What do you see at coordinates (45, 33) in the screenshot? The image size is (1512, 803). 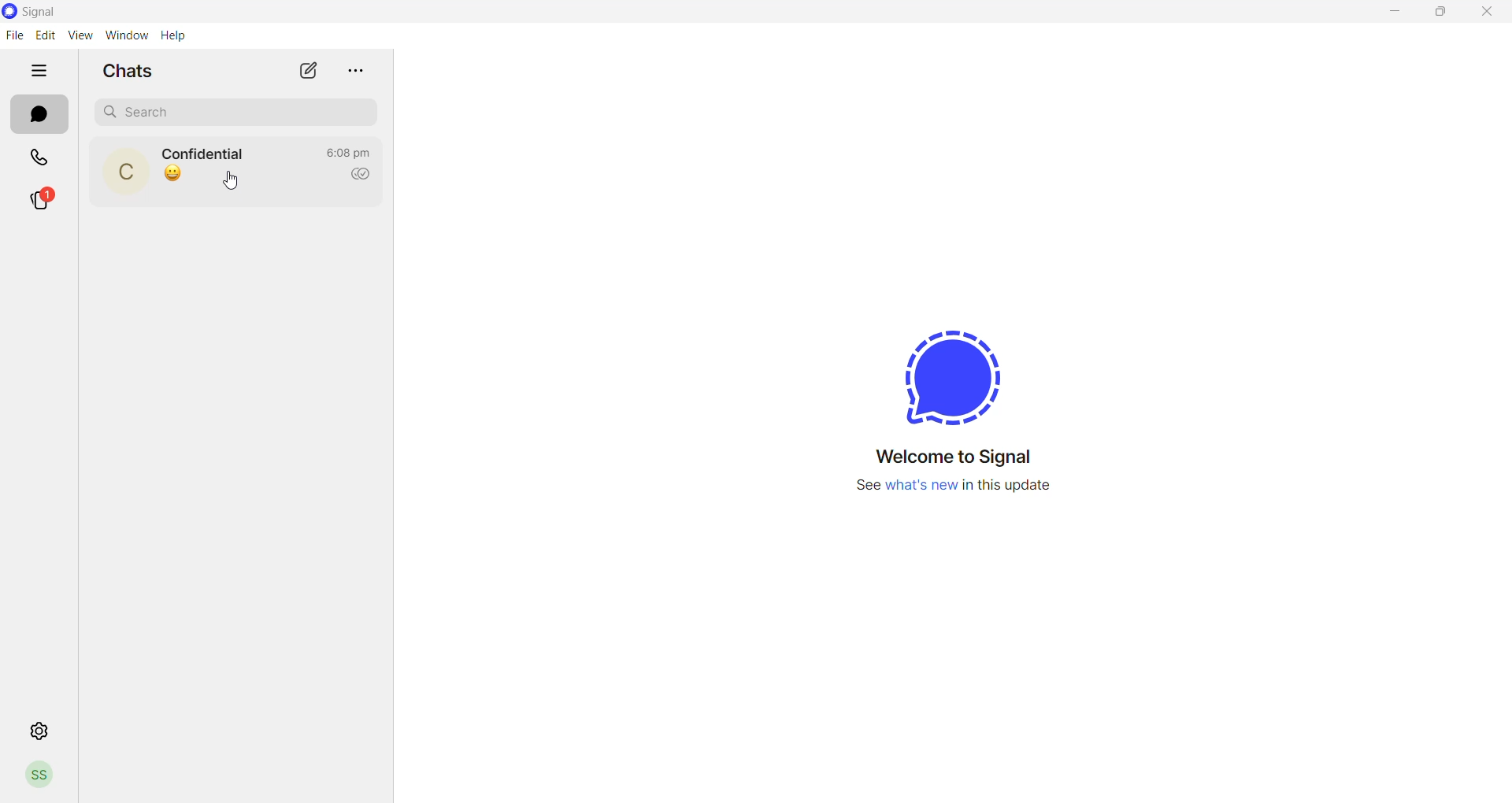 I see `edit` at bounding box center [45, 33].